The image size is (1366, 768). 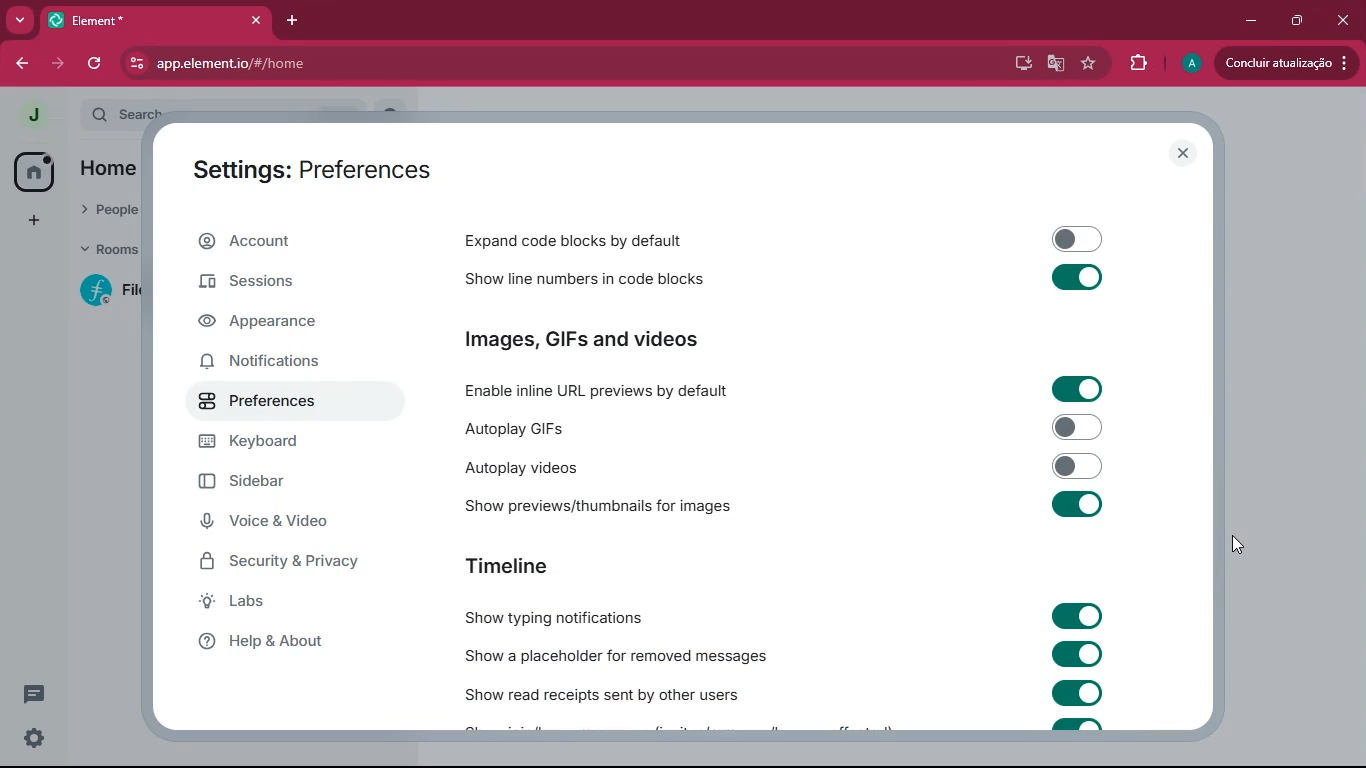 I want to click on toggle on/off, so click(x=1077, y=654).